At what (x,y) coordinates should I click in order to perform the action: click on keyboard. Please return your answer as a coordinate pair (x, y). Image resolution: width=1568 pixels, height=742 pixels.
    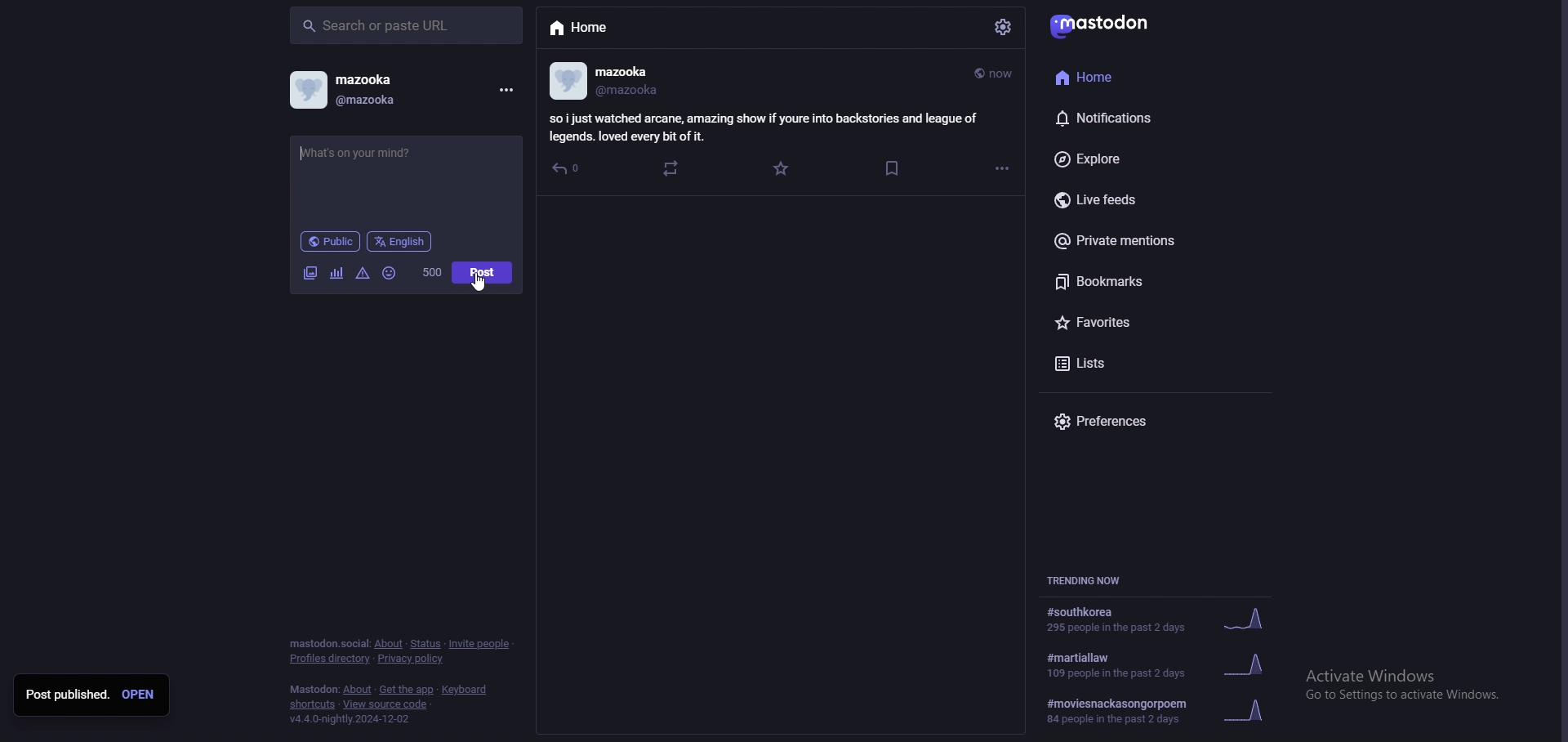
    Looking at the image, I should click on (463, 689).